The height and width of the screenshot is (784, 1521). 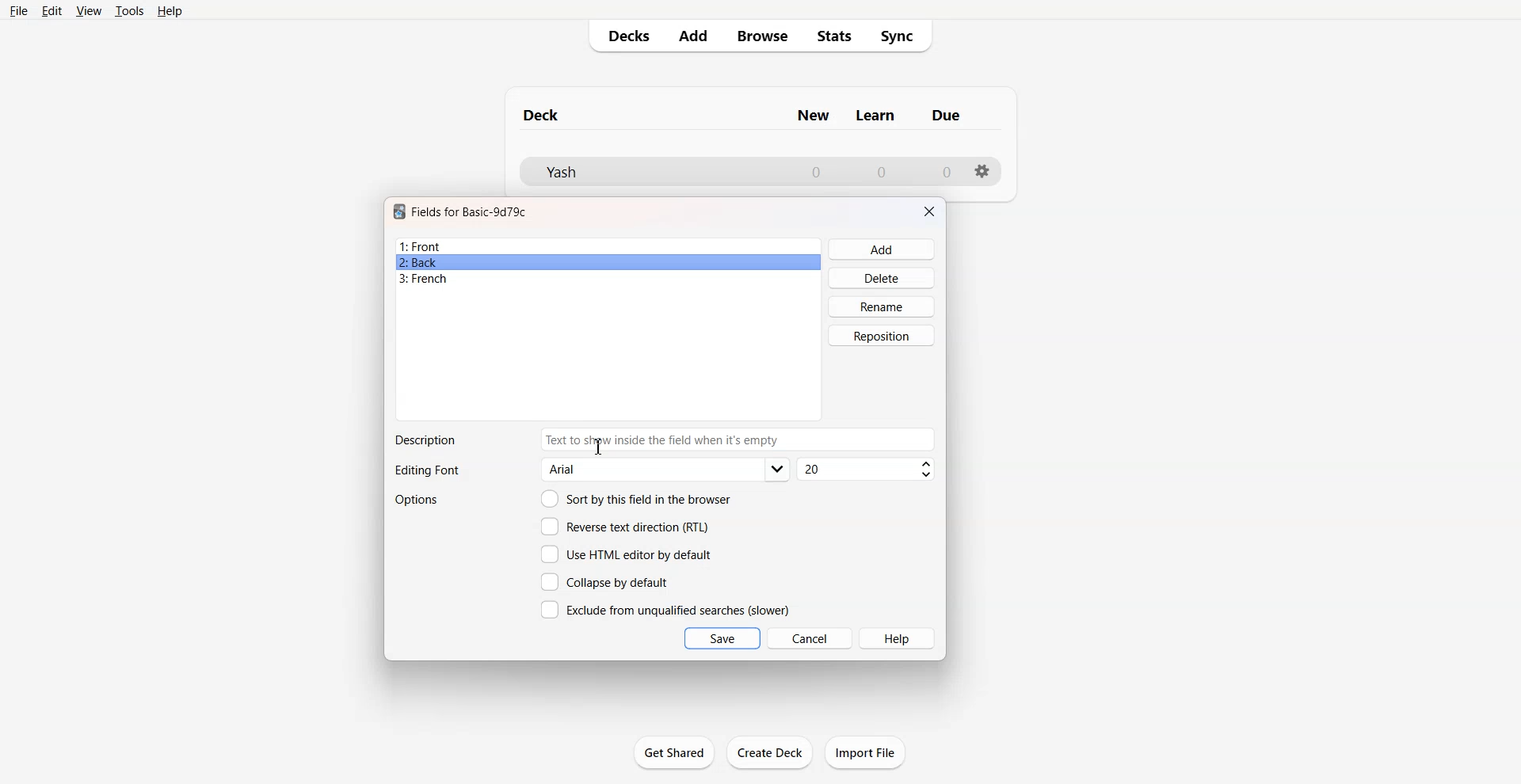 I want to click on View, so click(x=90, y=10).